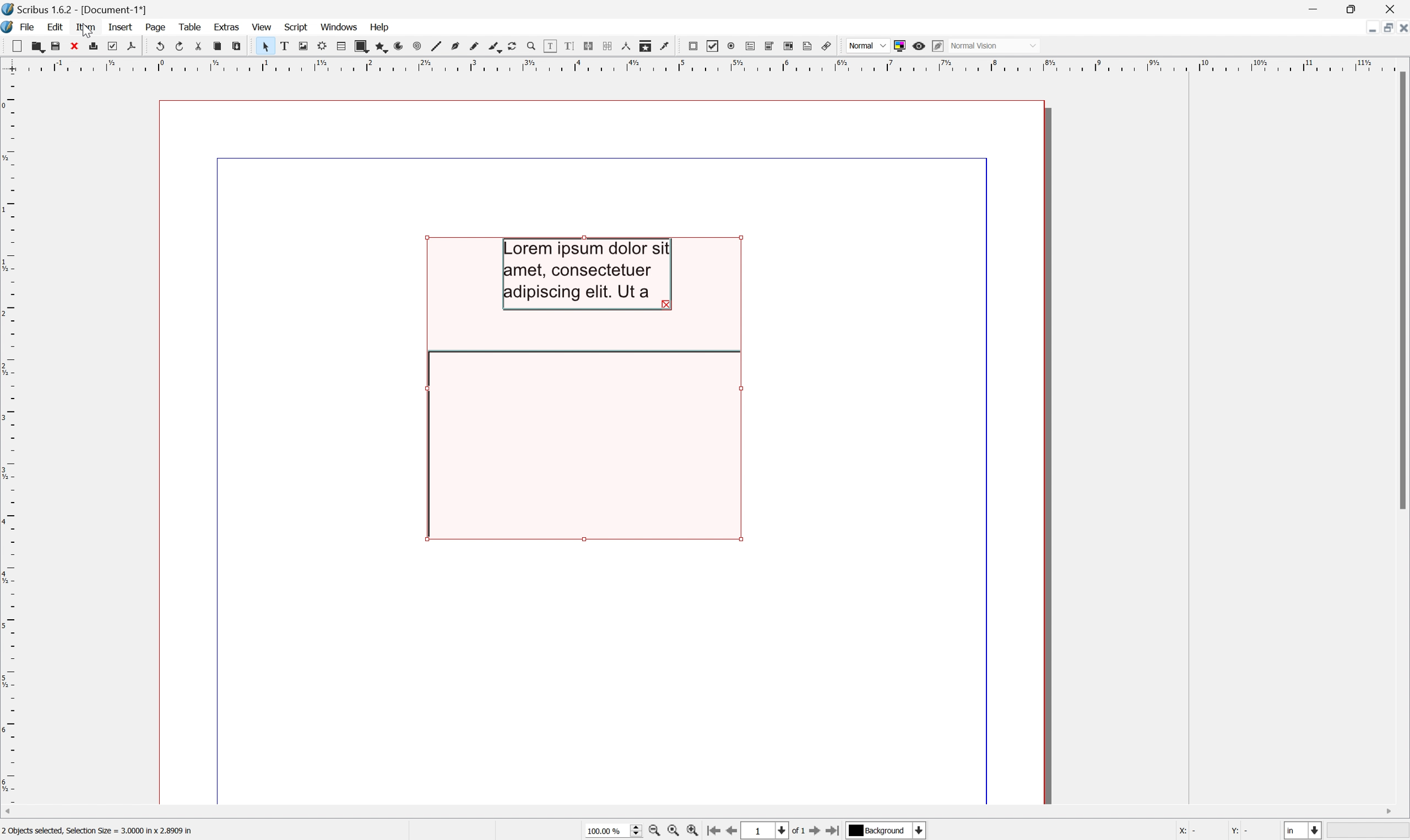 The height and width of the screenshot is (840, 1410). Describe the element at coordinates (9, 27) in the screenshot. I see `Scribus icon` at that location.